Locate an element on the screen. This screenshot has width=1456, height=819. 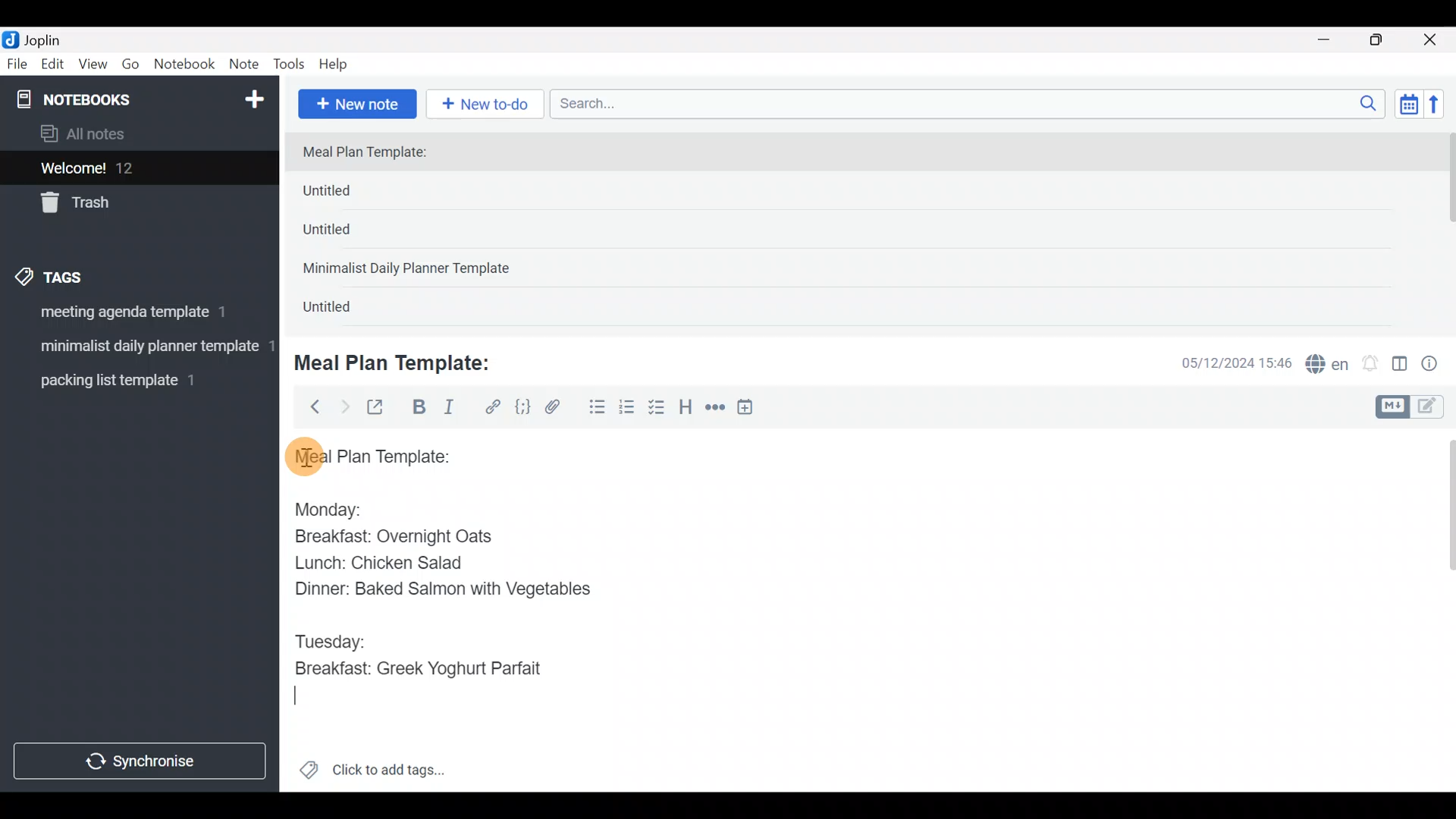
Toggle external editing is located at coordinates (381, 408).